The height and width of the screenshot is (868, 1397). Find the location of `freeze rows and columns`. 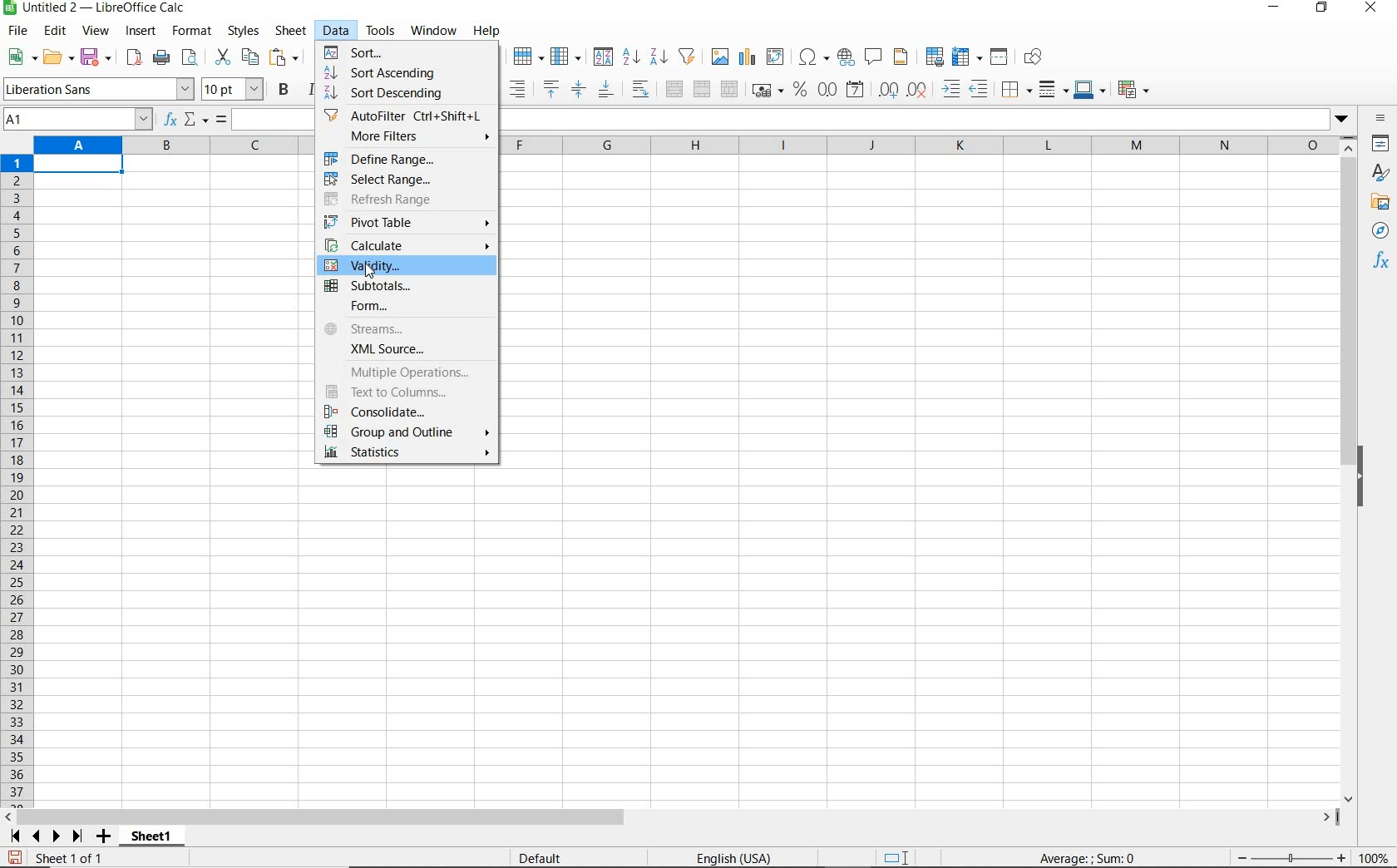

freeze rows and columns is located at coordinates (968, 57).